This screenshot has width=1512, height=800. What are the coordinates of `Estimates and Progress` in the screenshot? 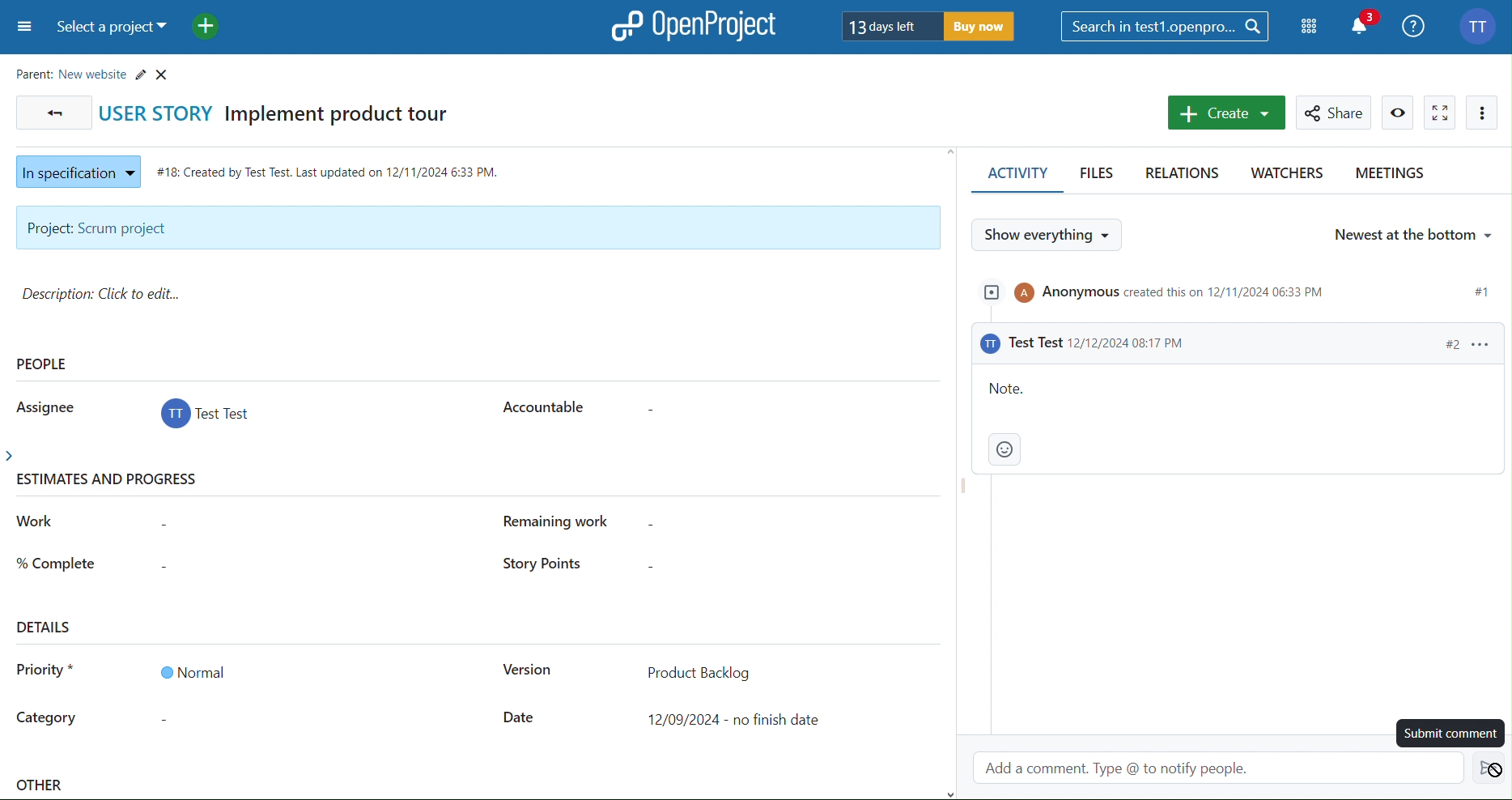 It's located at (112, 481).